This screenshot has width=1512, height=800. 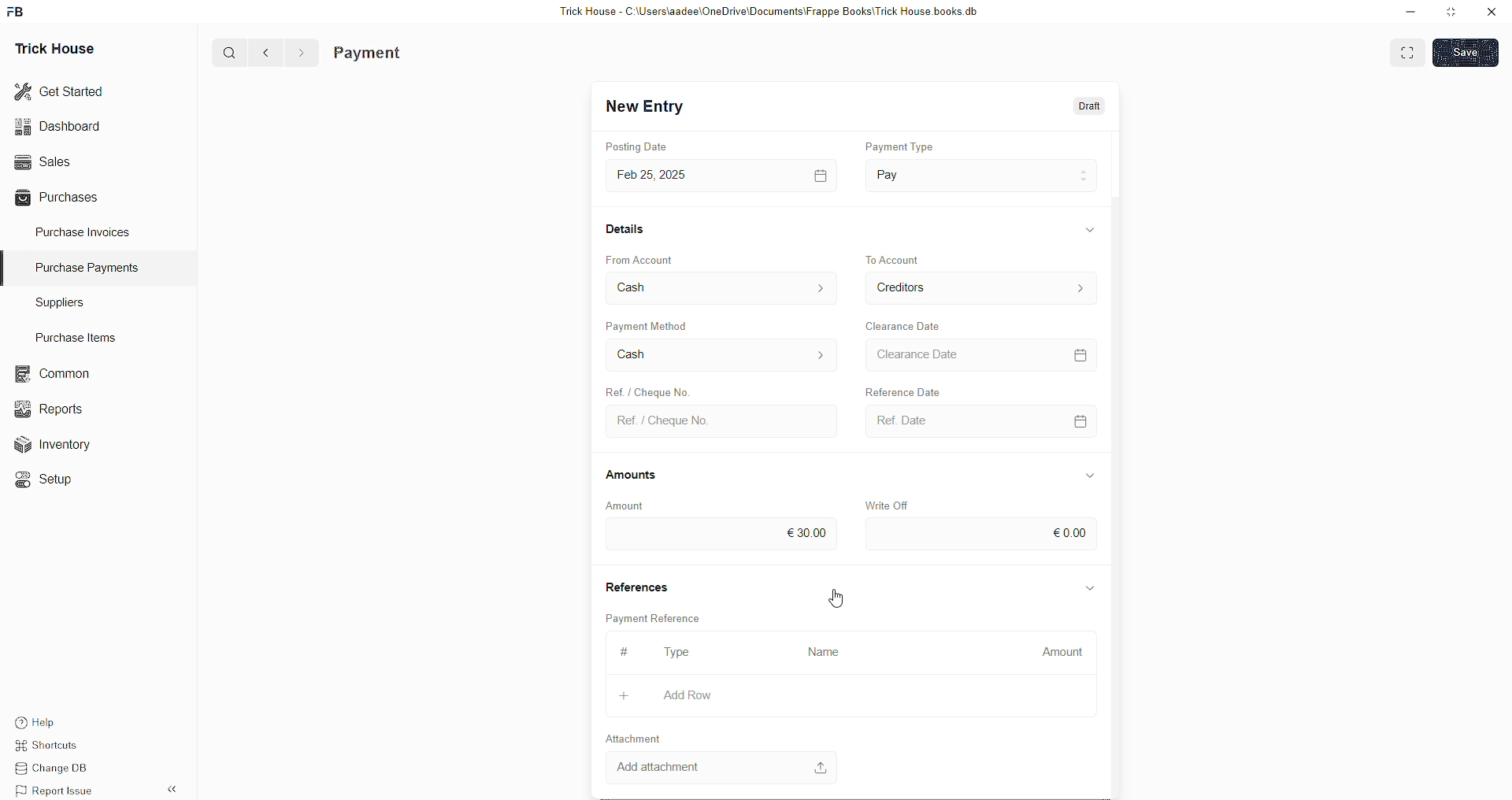 What do you see at coordinates (787, 531) in the screenshot?
I see `eool` at bounding box center [787, 531].